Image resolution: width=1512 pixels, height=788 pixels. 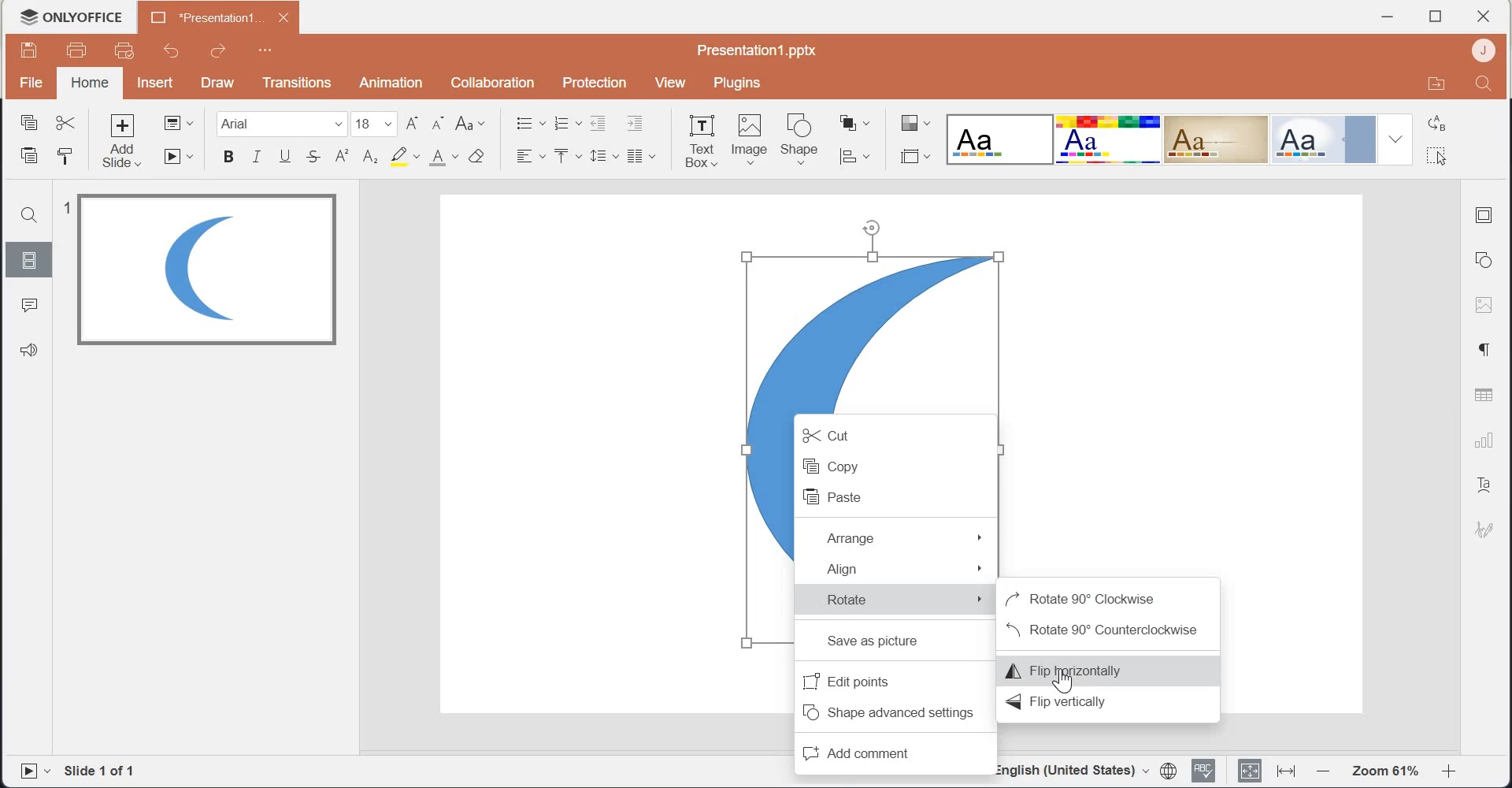 What do you see at coordinates (29, 155) in the screenshot?
I see `Paste` at bounding box center [29, 155].